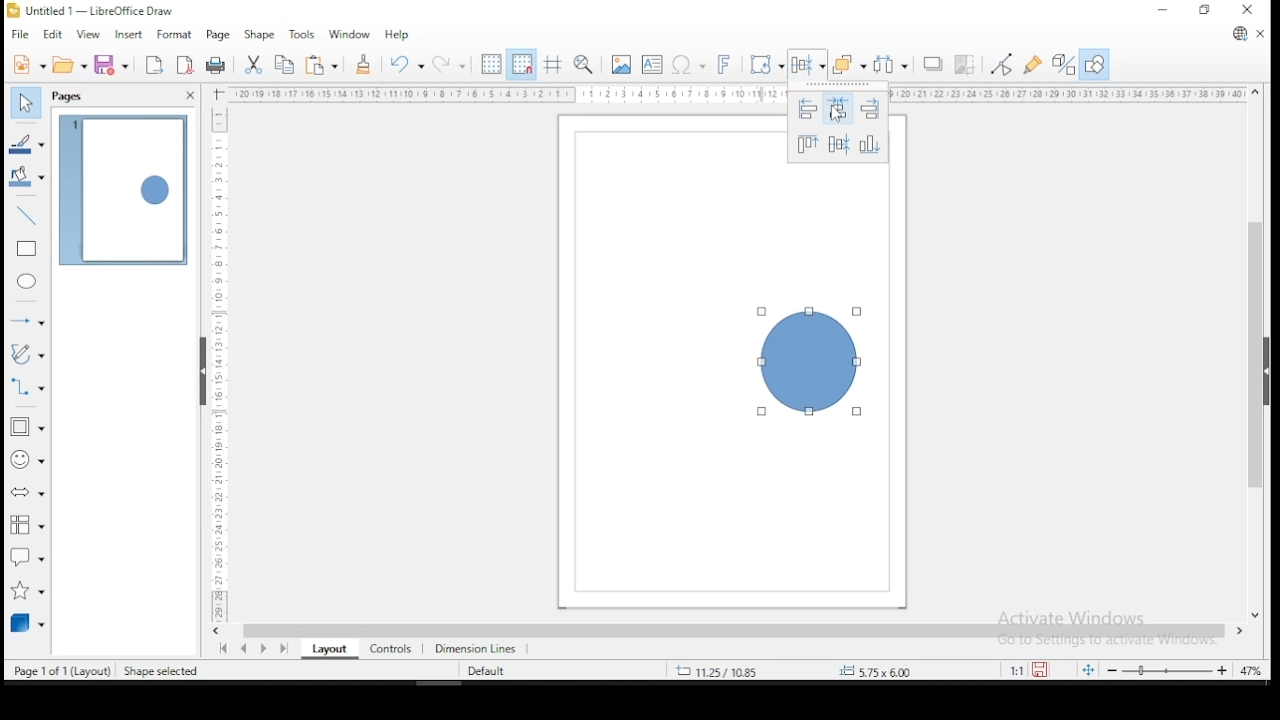 Image resolution: width=1280 pixels, height=720 pixels. Describe the element at coordinates (24, 100) in the screenshot. I see `select` at that location.